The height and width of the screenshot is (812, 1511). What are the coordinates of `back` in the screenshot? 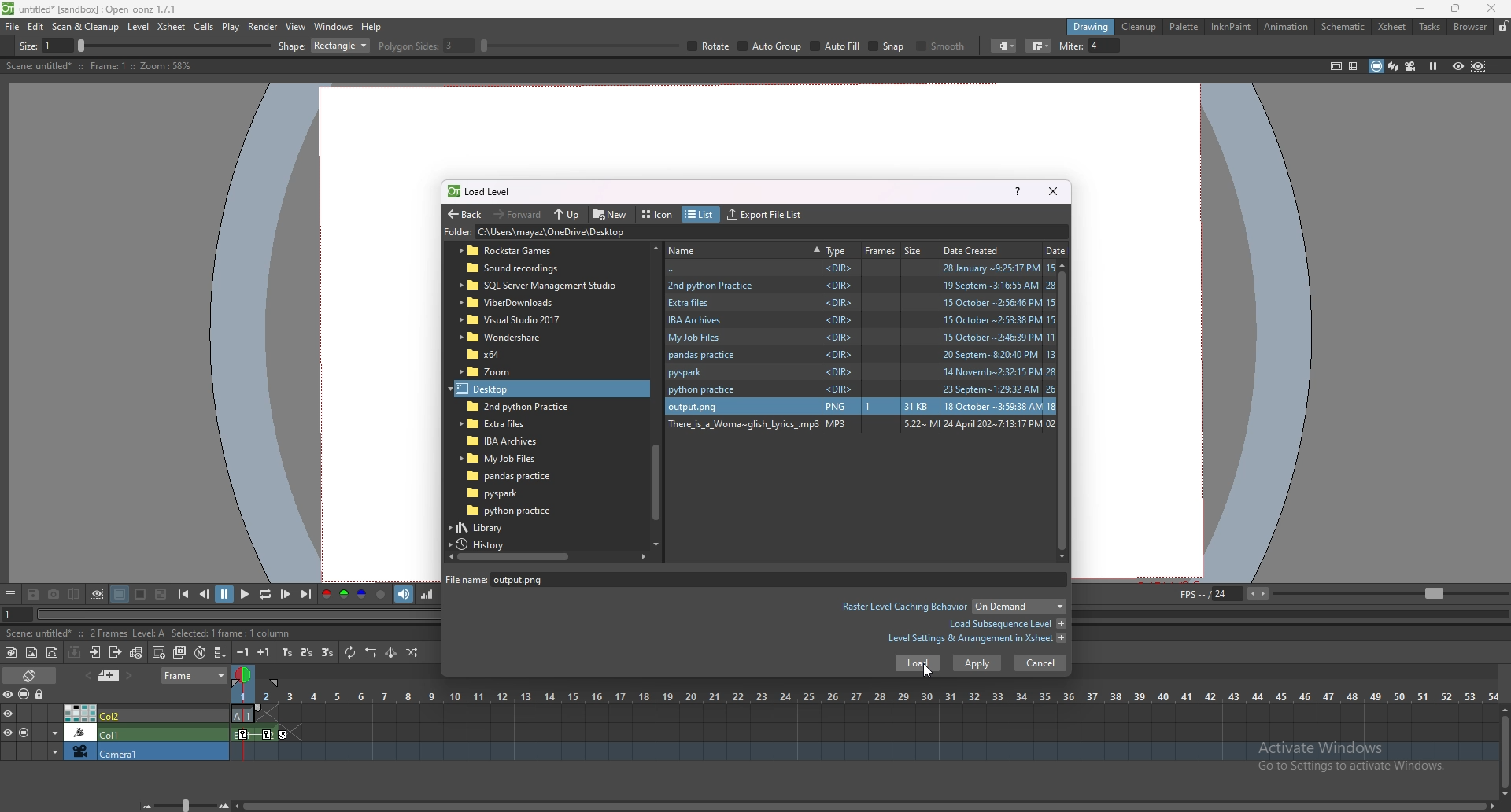 It's located at (862, 268).